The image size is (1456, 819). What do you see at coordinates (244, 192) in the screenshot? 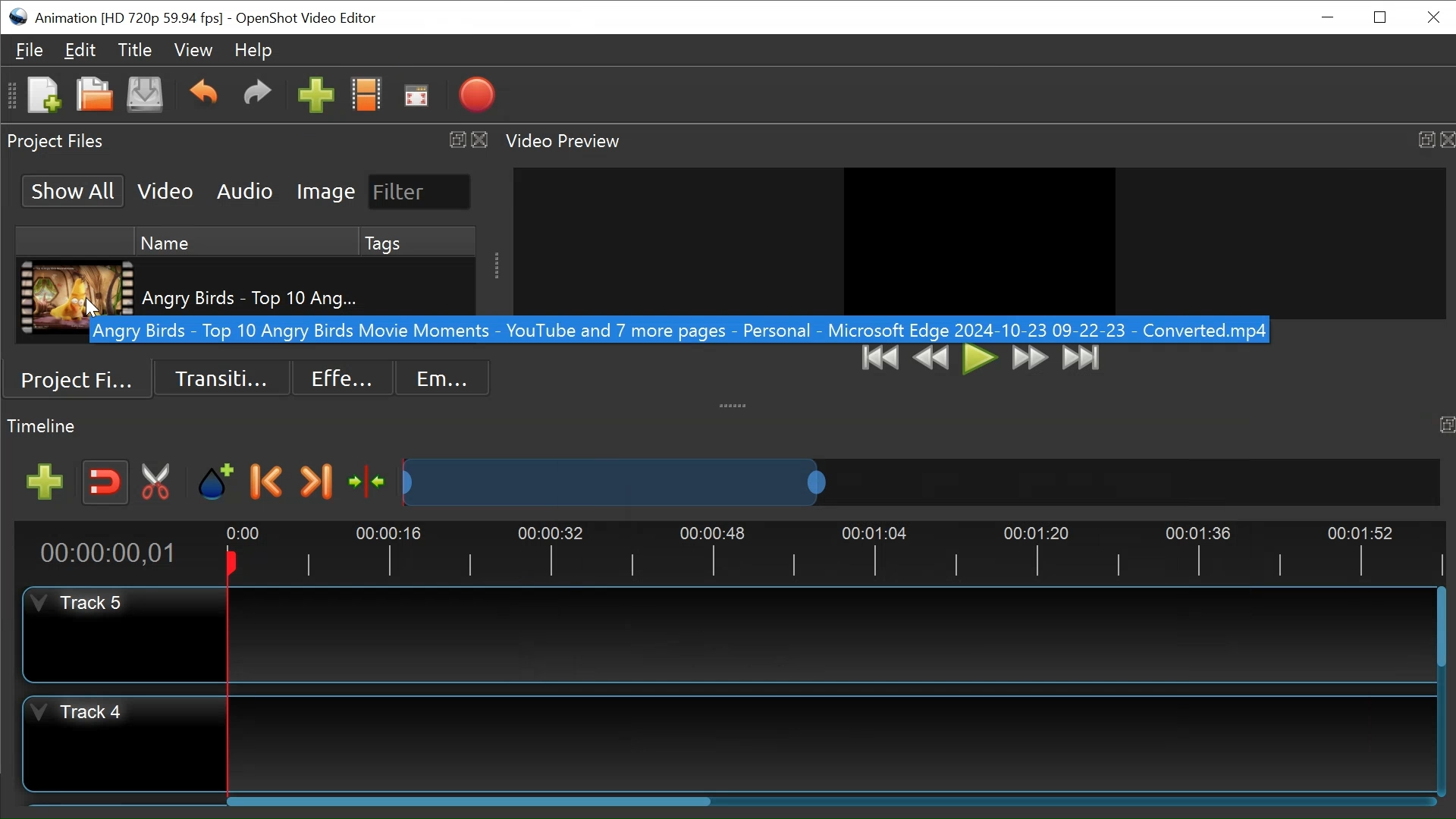
I see `Audio` at bounding box center [244, 192].